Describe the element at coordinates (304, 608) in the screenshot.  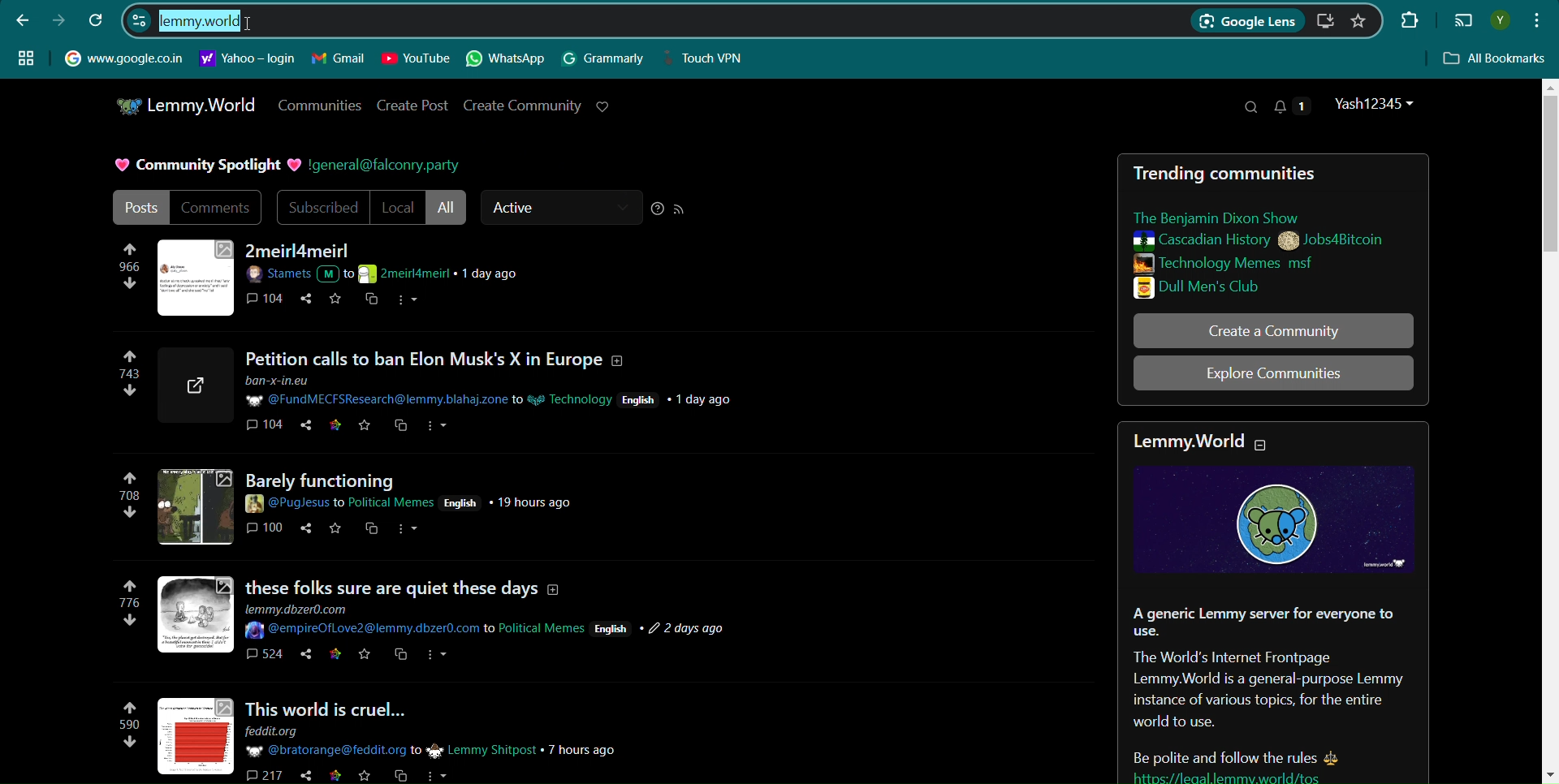
I see `lemmy.dbzer0.com` at that location.